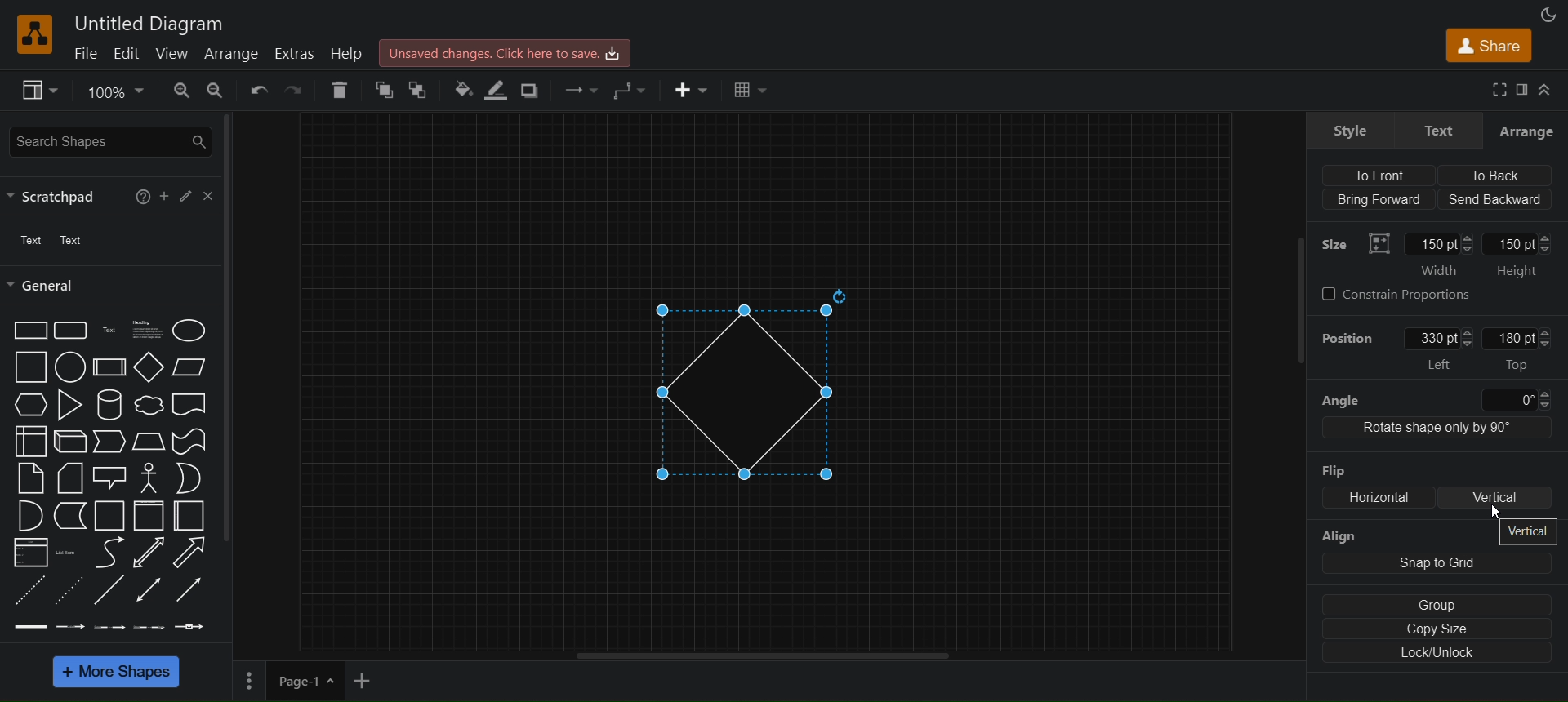  I want to click on bring forward, so click(1379, 197).